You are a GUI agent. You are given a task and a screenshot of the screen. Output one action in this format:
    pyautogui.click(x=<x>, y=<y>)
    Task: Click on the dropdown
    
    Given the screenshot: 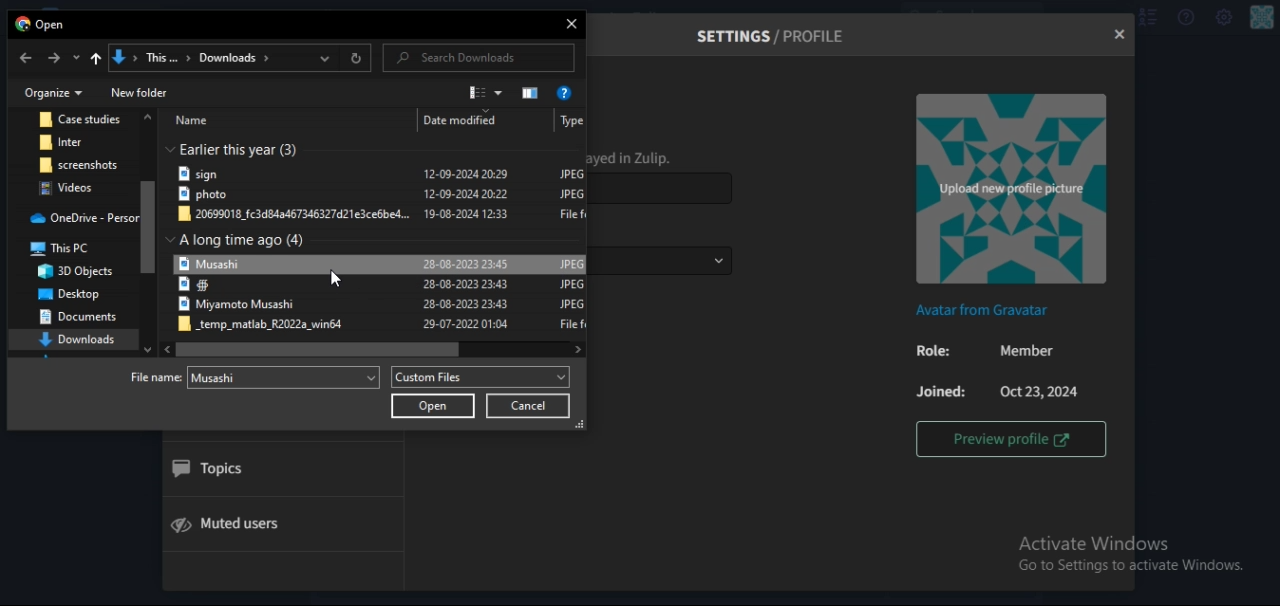 What is the action you would take?
    pyautogui.click(x=74, y=60)
    